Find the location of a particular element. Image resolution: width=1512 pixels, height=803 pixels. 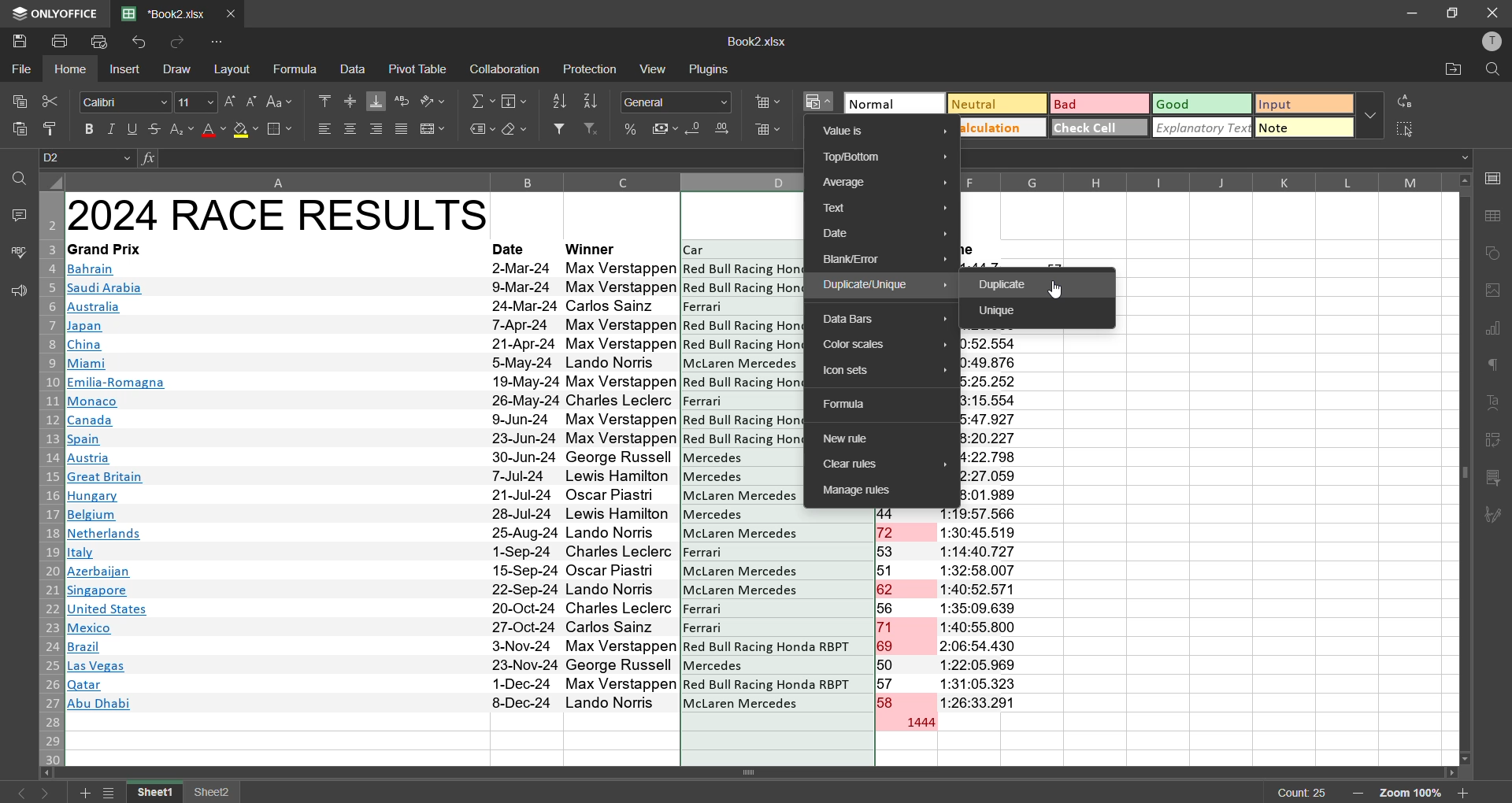

redo is located at coordinates (174, 43).